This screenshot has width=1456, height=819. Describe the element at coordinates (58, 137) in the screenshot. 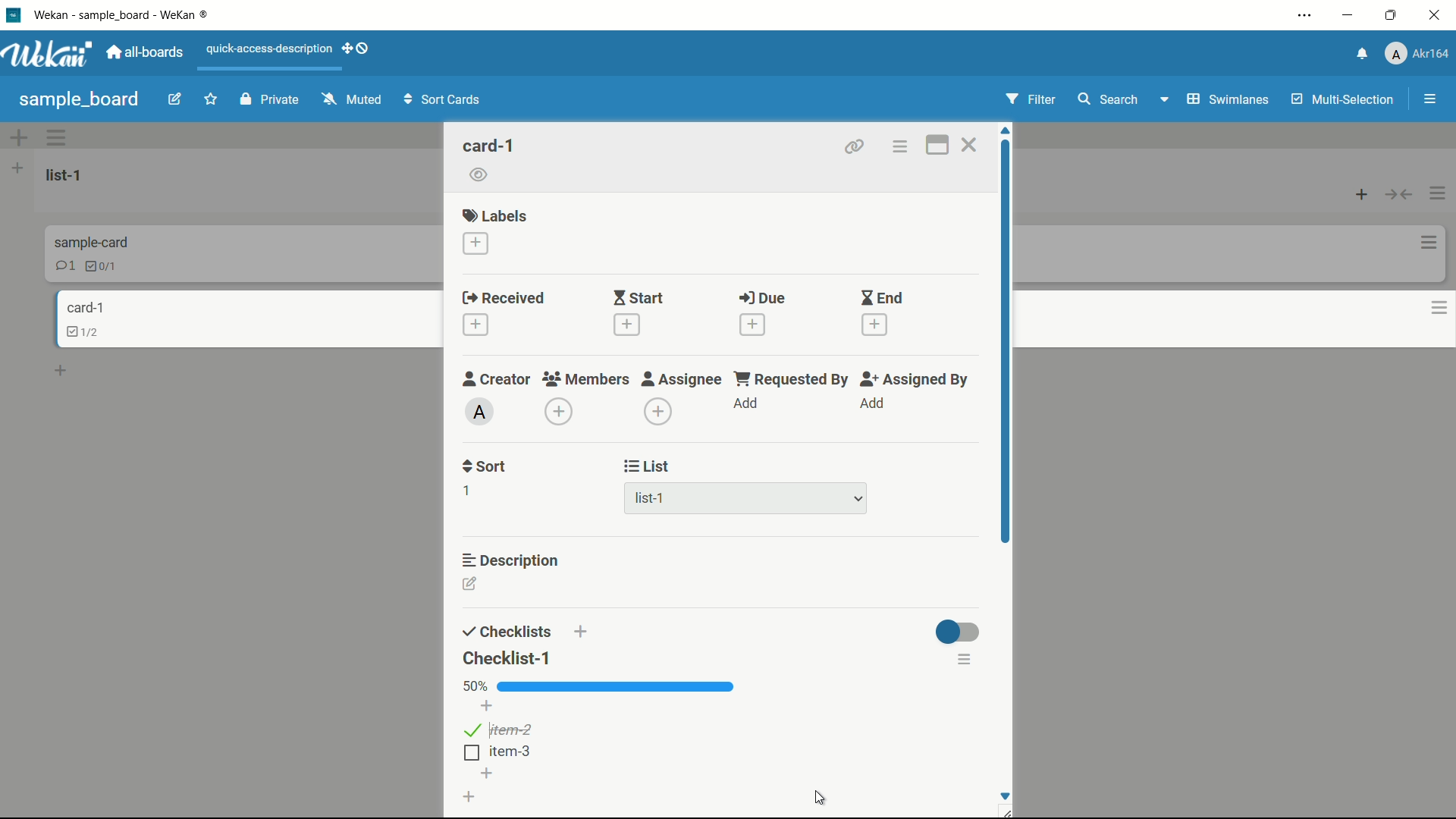

I see `swimlane actions` at that location.